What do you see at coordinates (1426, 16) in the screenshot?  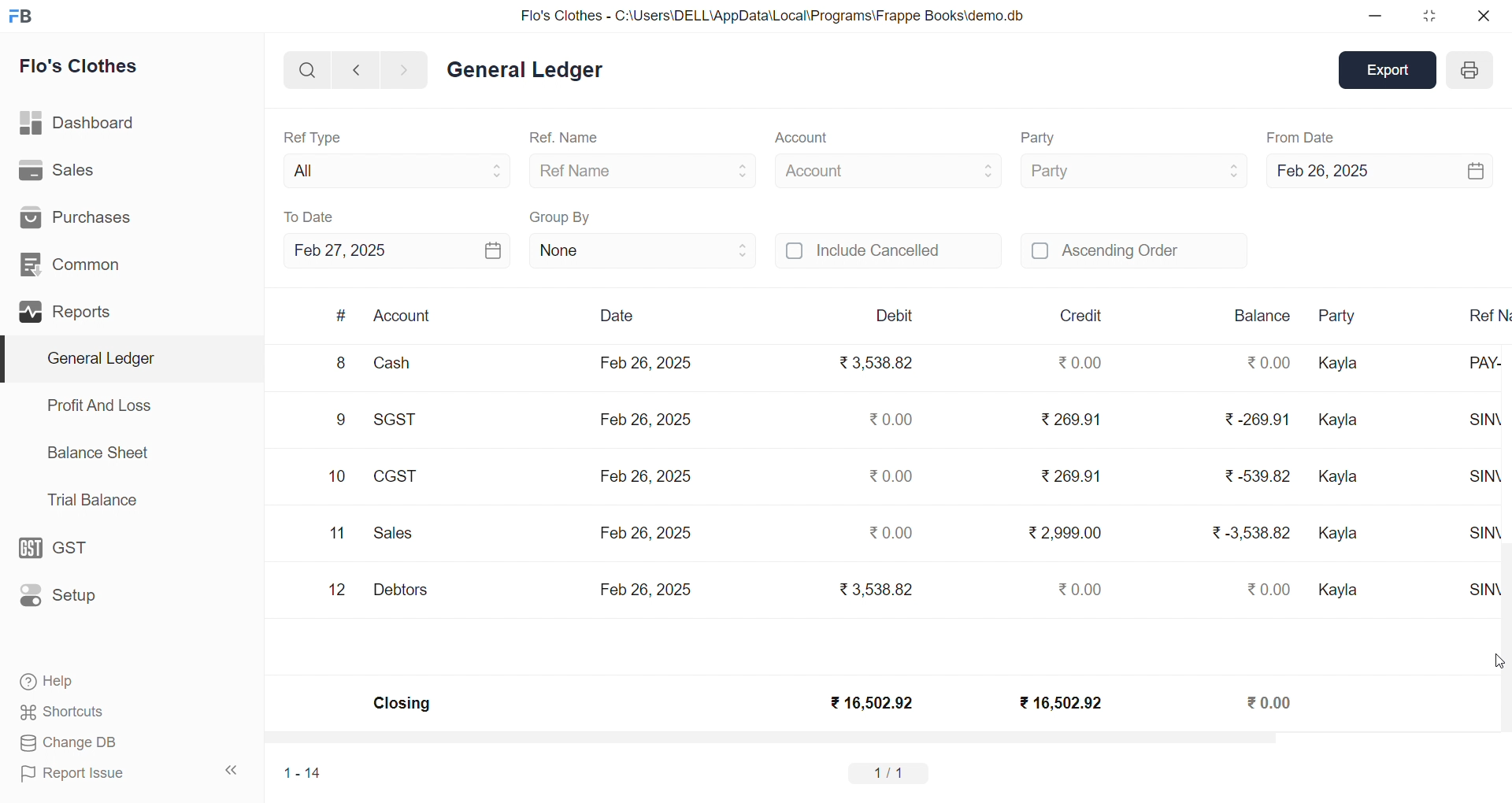 I see `RESIZE` at bounding box center [1426, 16].